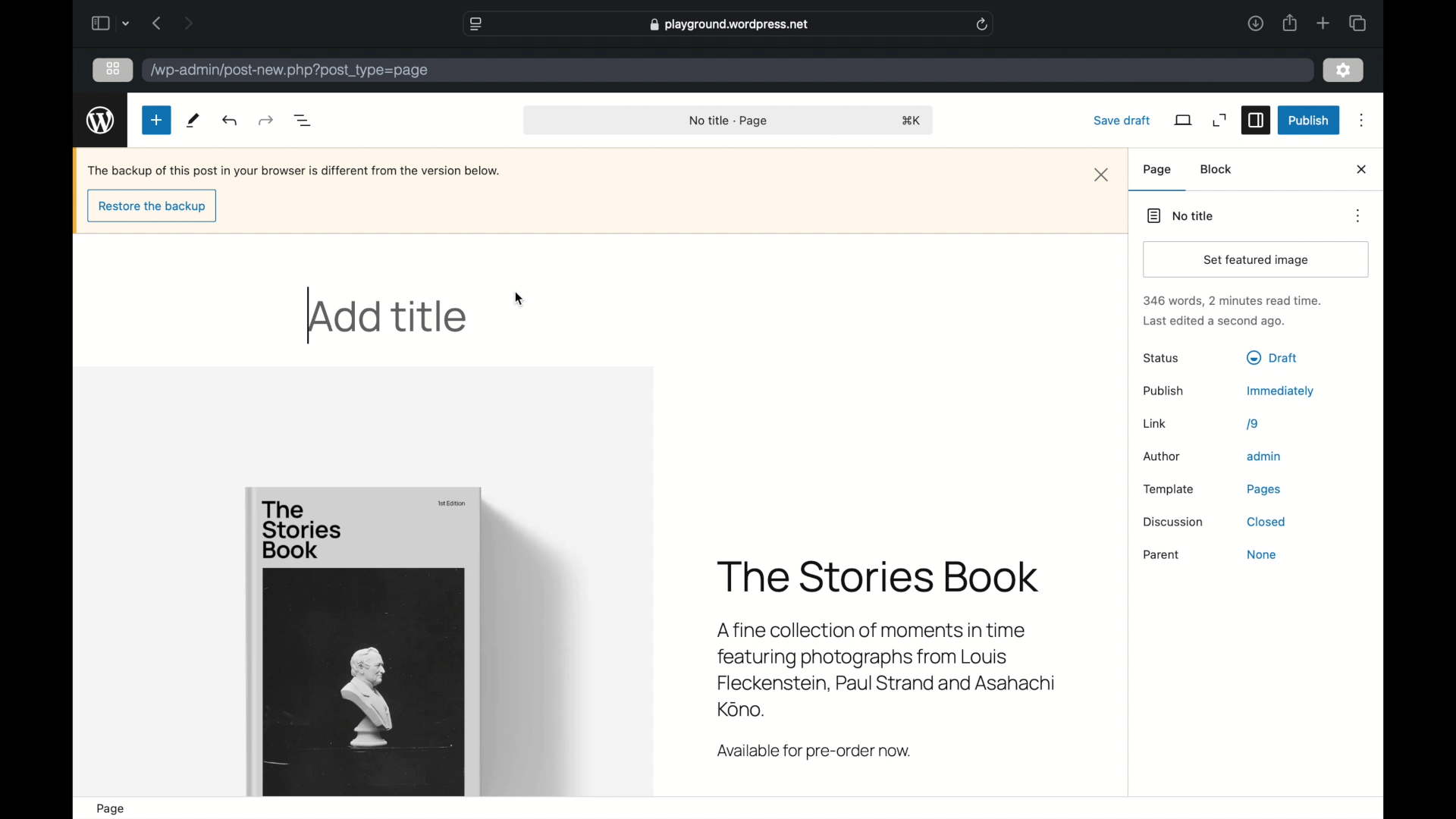 This screenshot has height=819, width=1456. Describe the element at coordinates (1264, 490) in the screenshot. I see `pages` at that location.